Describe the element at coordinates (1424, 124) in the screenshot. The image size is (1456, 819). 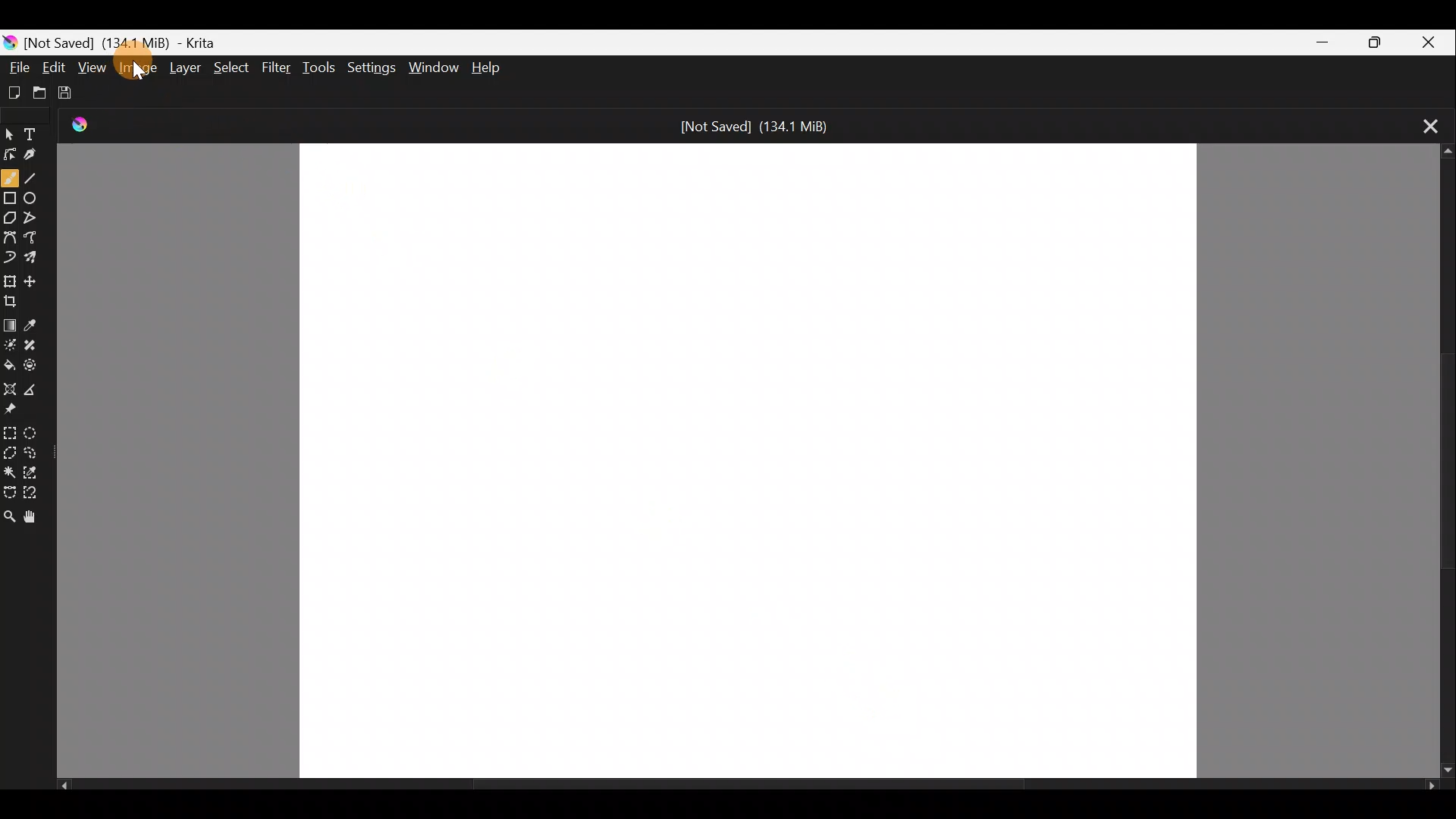
I see `Close tab` at that location.